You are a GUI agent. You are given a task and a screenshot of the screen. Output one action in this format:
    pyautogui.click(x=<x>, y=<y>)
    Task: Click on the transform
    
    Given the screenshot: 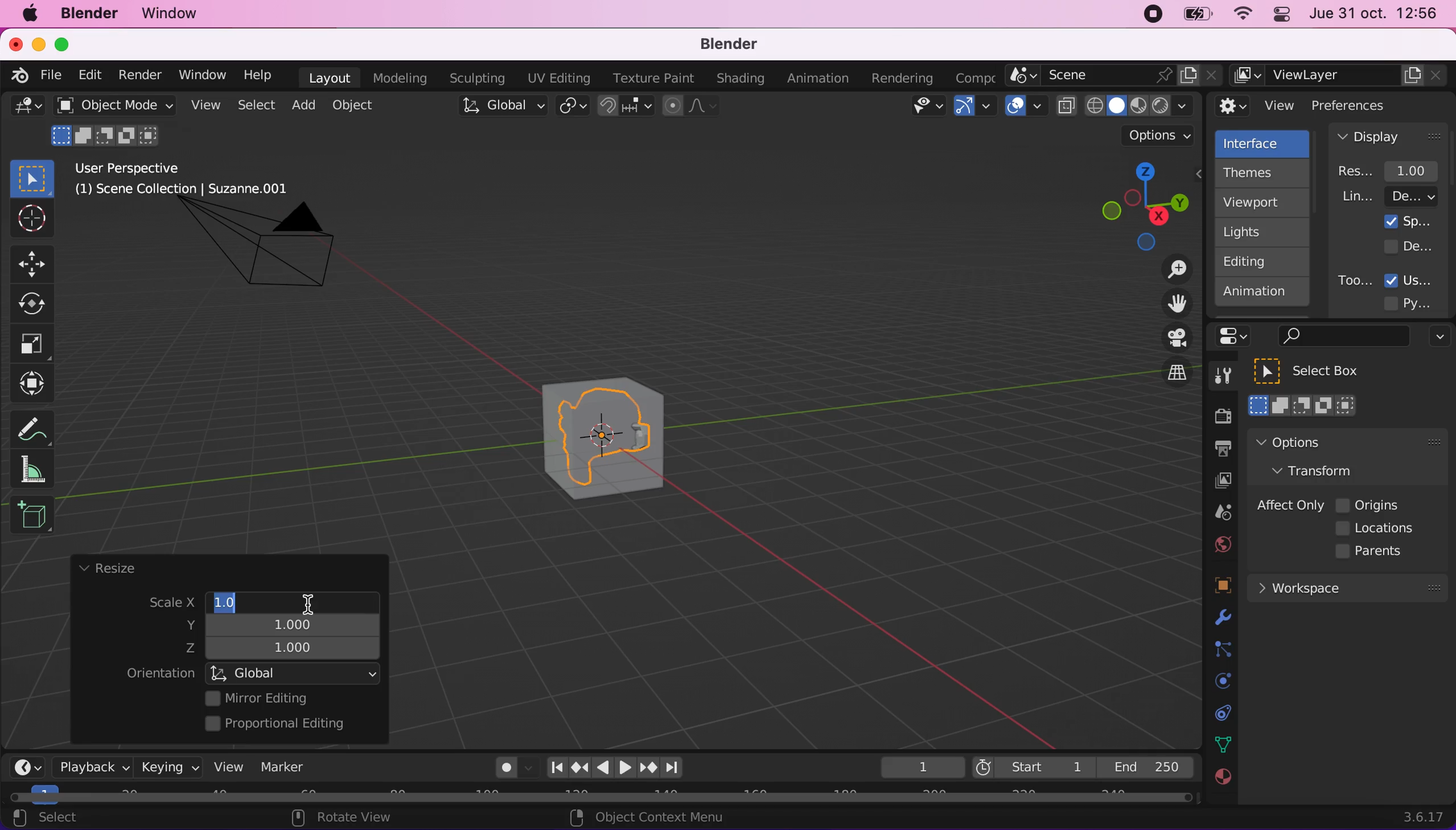 What is the action you would take?
    pyautogui.click(x=35, y=384)
    